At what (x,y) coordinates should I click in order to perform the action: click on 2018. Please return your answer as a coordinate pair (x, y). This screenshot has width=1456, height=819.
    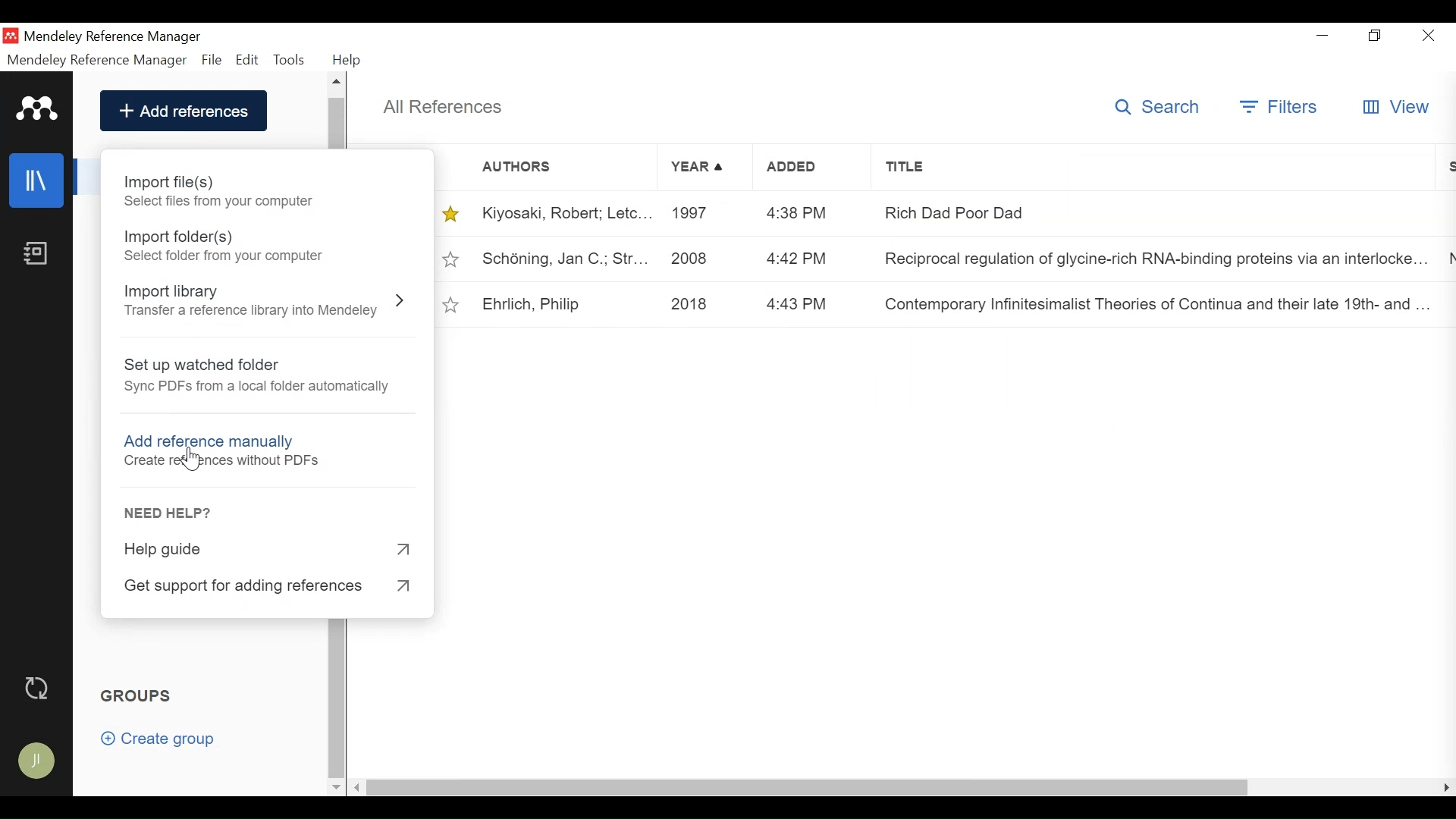
    Looking at the image, I should click on (704, 305).